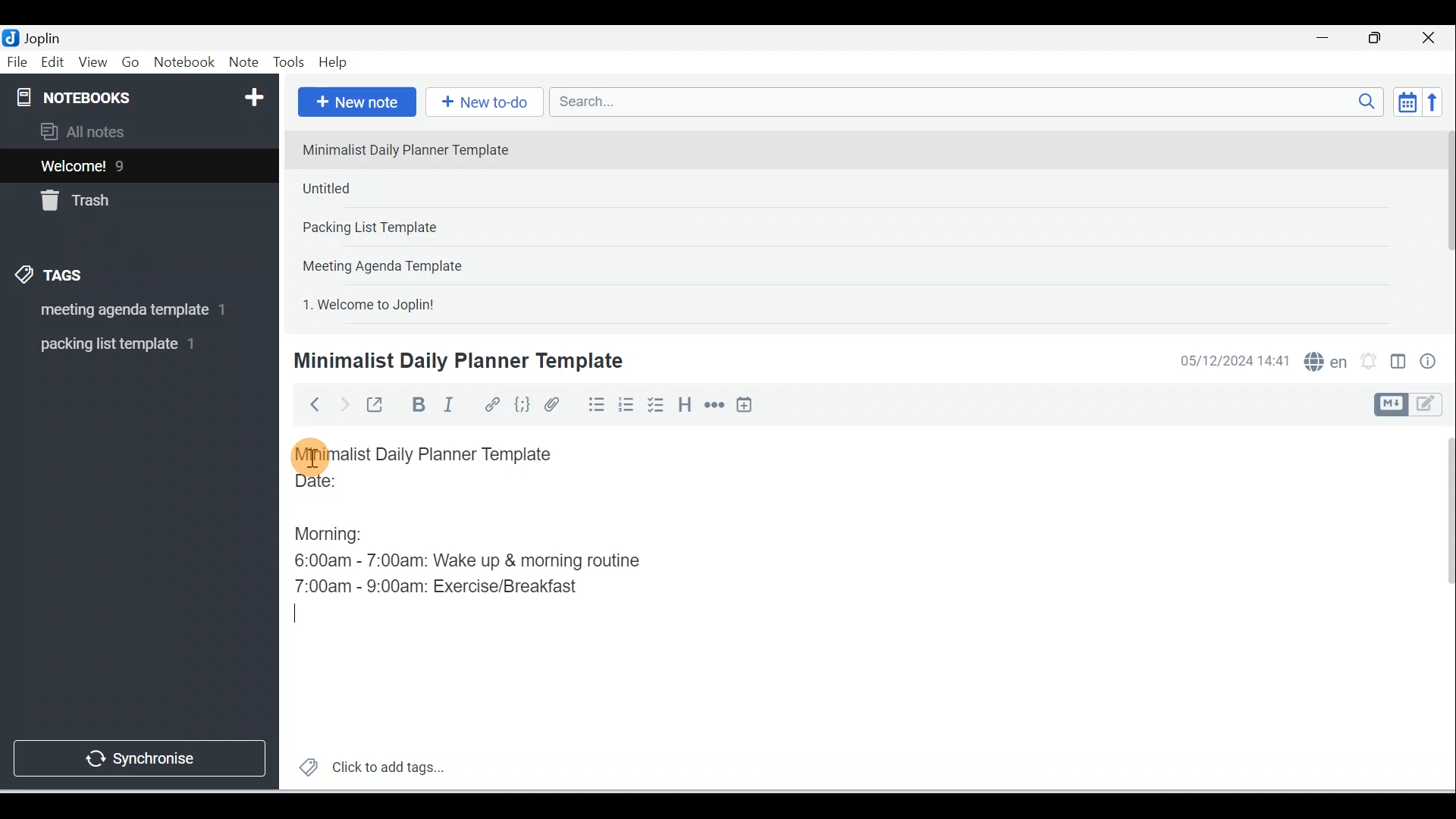 Image resolution: width=1456 pixels, height=819 pixels. Describe the element at coordinates (1380, 39) in the screenshot. I see `Maximise` at that location.